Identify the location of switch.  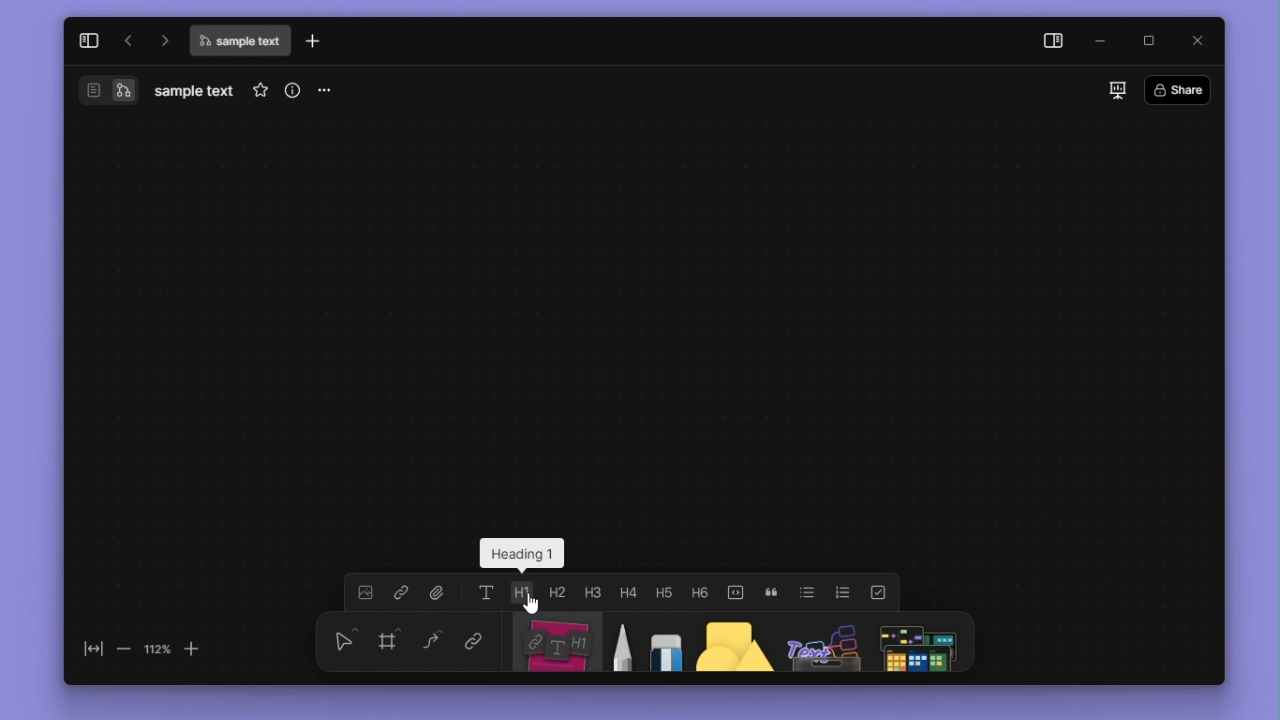
(123, 90).